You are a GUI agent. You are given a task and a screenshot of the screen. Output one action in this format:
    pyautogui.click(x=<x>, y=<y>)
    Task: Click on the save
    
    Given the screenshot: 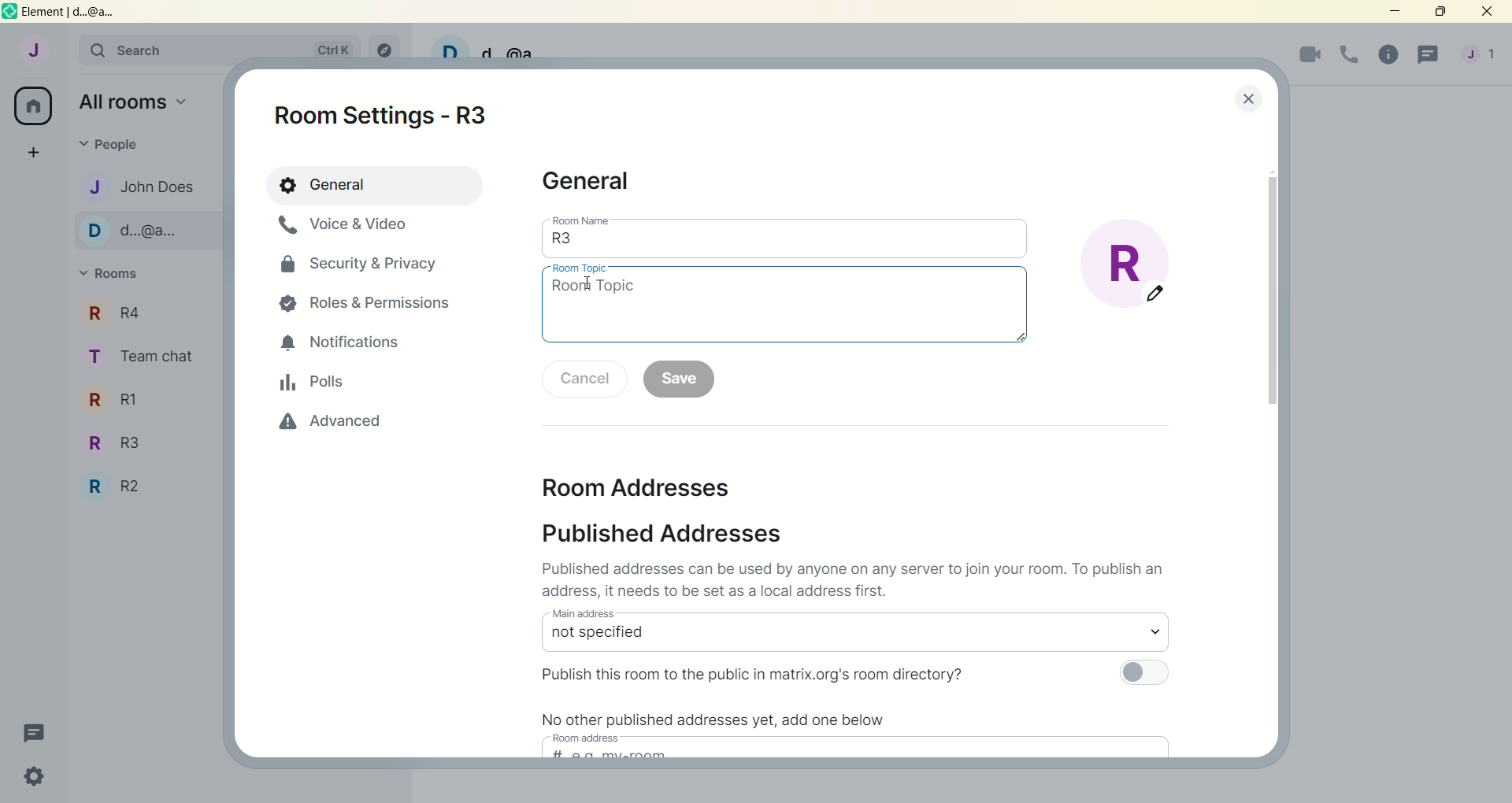 What is the action you would take?
    pyautogui.click(x=679, y=379)
    